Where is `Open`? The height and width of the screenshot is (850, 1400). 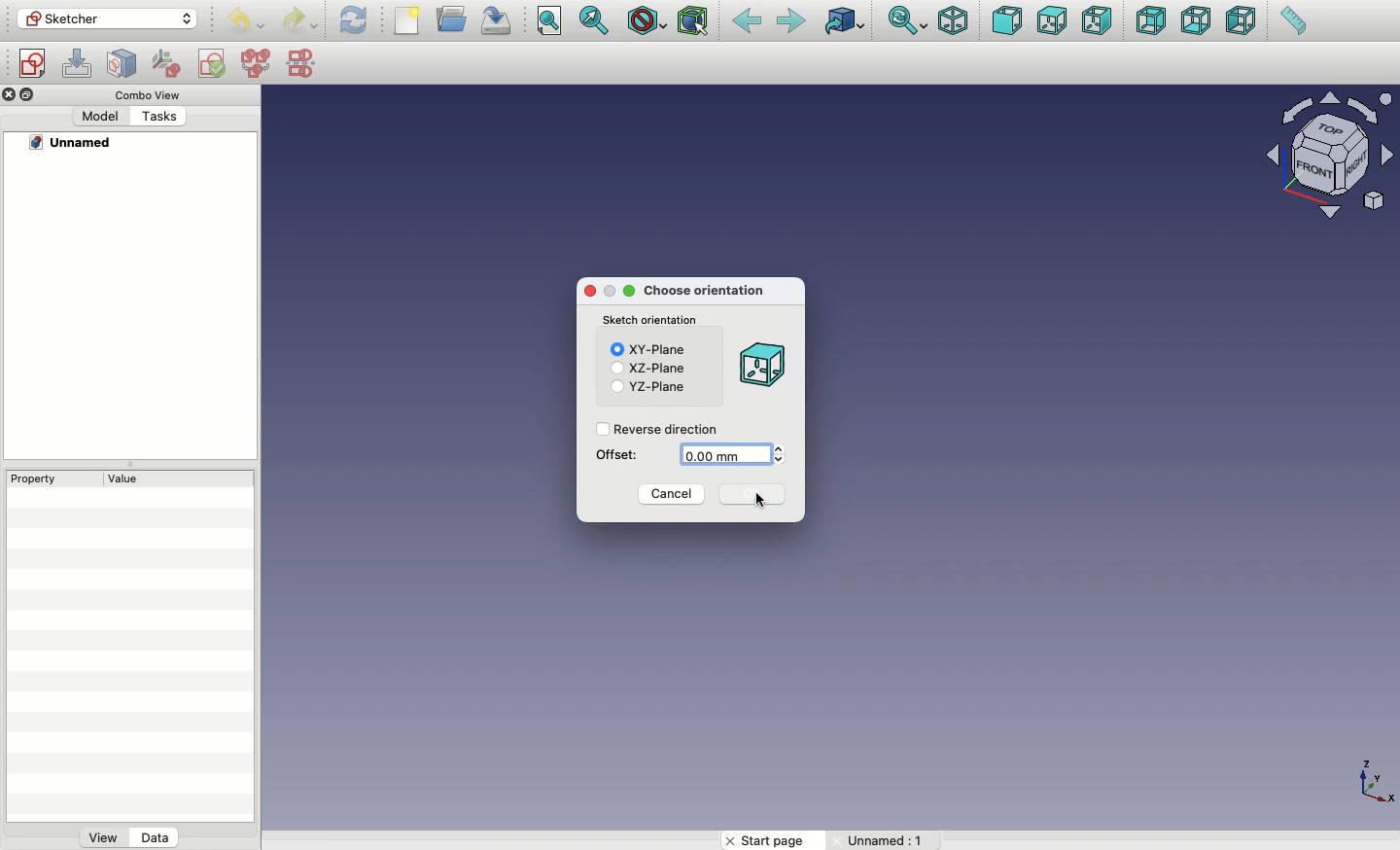 Open is located at coordinates (454, 18).